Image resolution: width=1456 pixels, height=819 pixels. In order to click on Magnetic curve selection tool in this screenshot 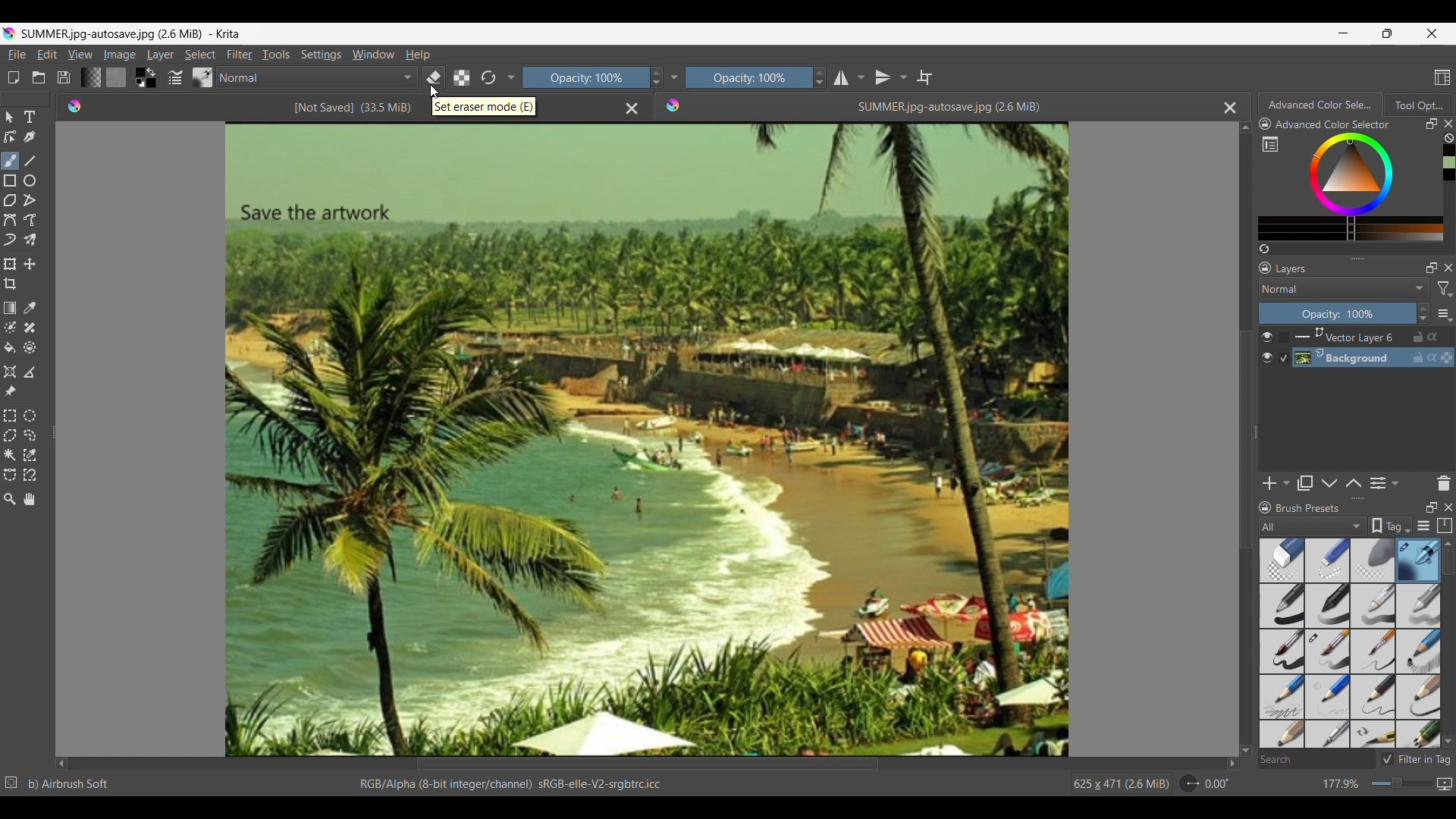, I will do `click(30, 475)`.